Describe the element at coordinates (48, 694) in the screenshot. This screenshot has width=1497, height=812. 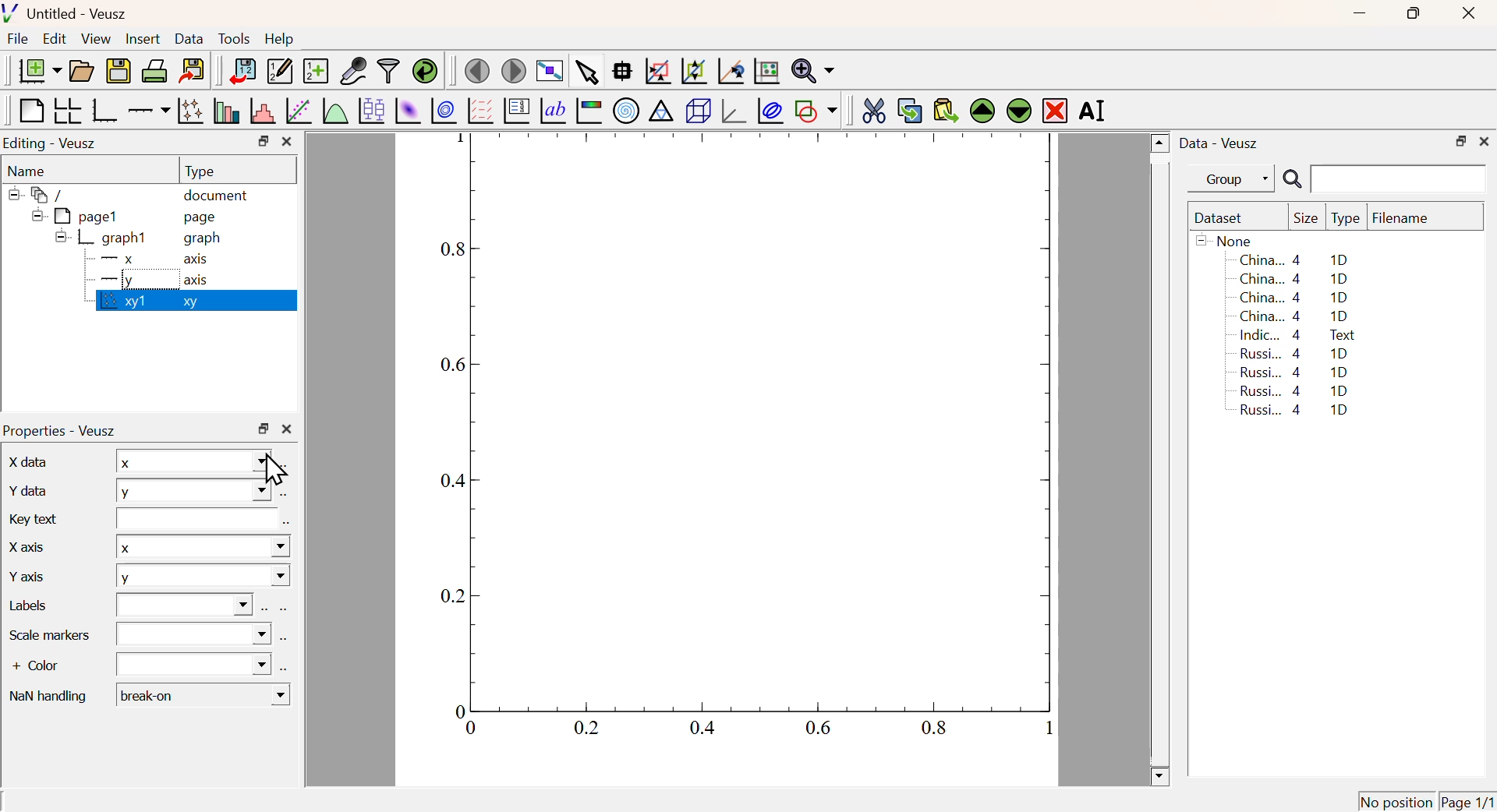
I see `Nan handling` at that location.